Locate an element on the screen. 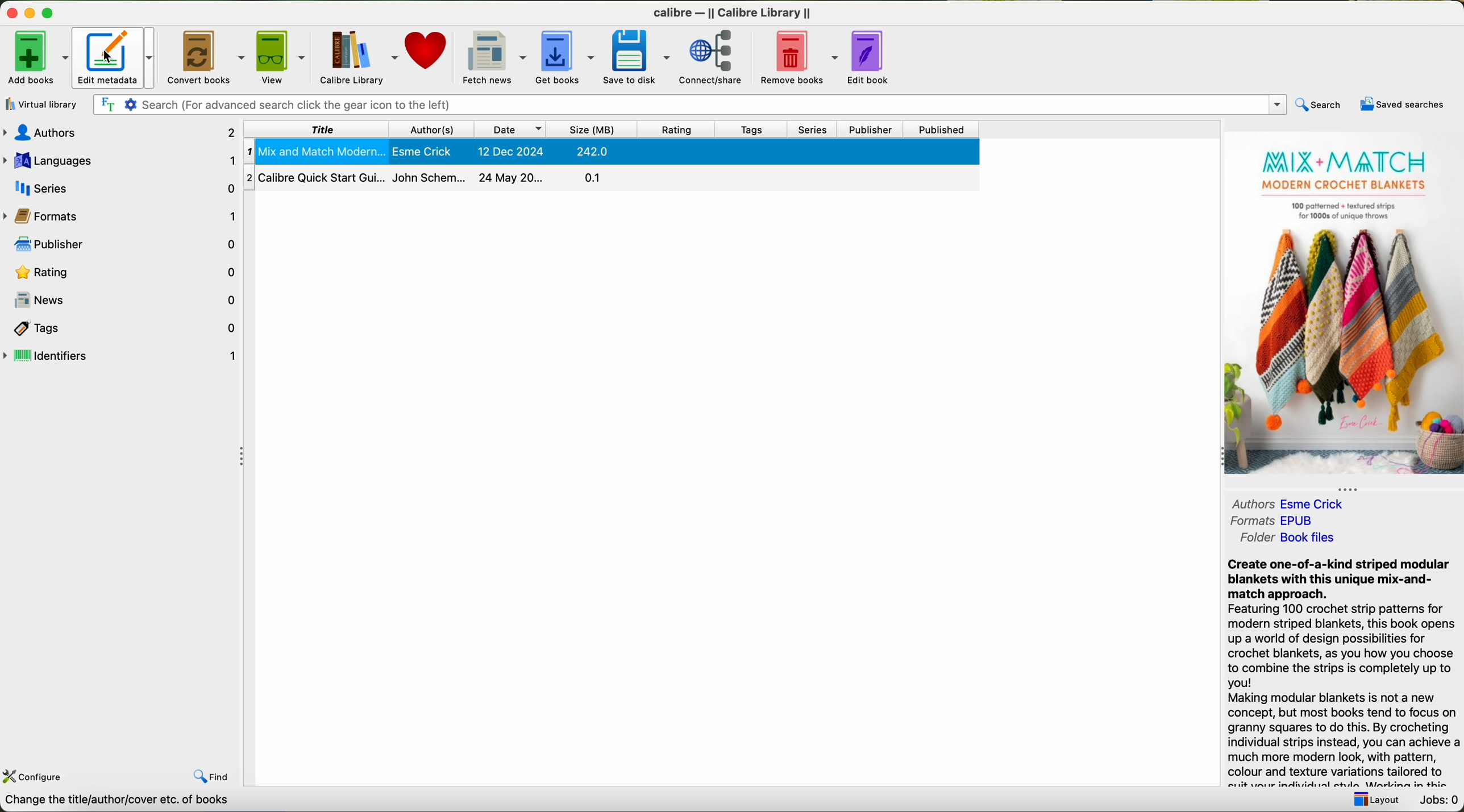  languages is located at coordinates (123, 161).